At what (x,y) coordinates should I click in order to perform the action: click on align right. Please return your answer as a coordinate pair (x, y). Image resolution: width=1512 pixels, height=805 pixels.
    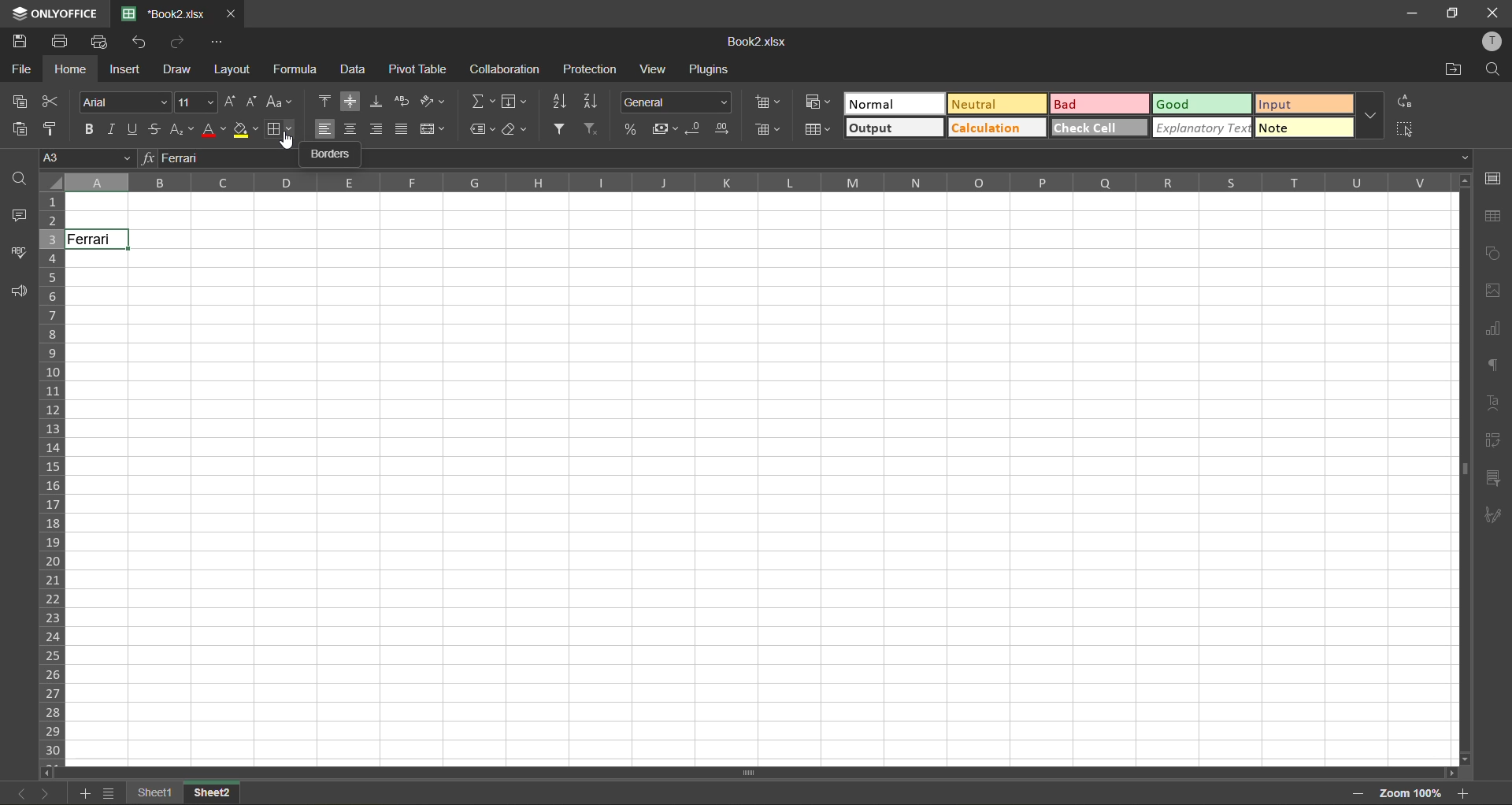
    Looking at the image, I should click on (375, 129).